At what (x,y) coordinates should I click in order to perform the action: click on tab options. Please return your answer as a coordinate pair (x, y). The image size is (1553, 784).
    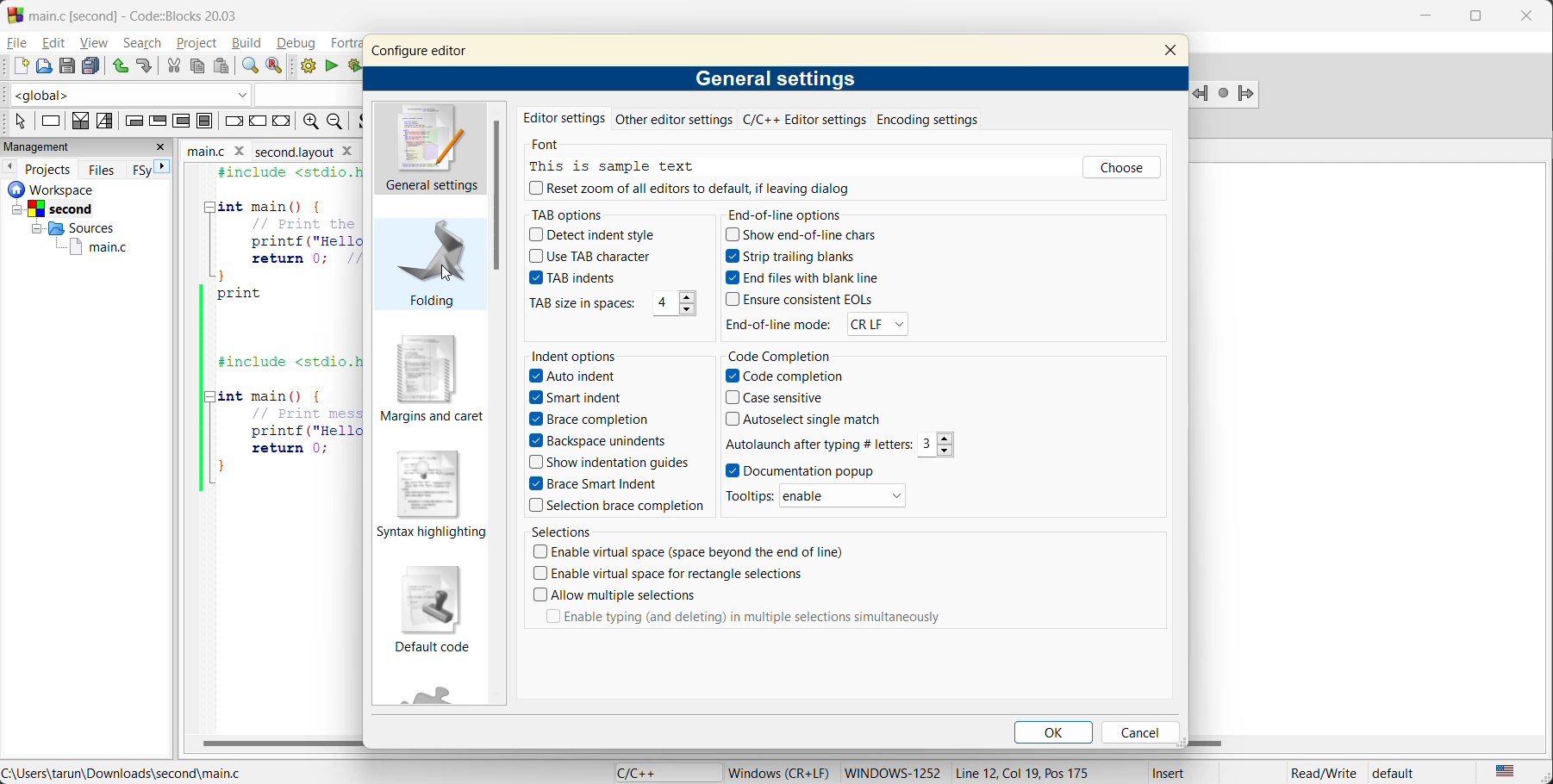
    Looking at the image, I should click on (570, 215).